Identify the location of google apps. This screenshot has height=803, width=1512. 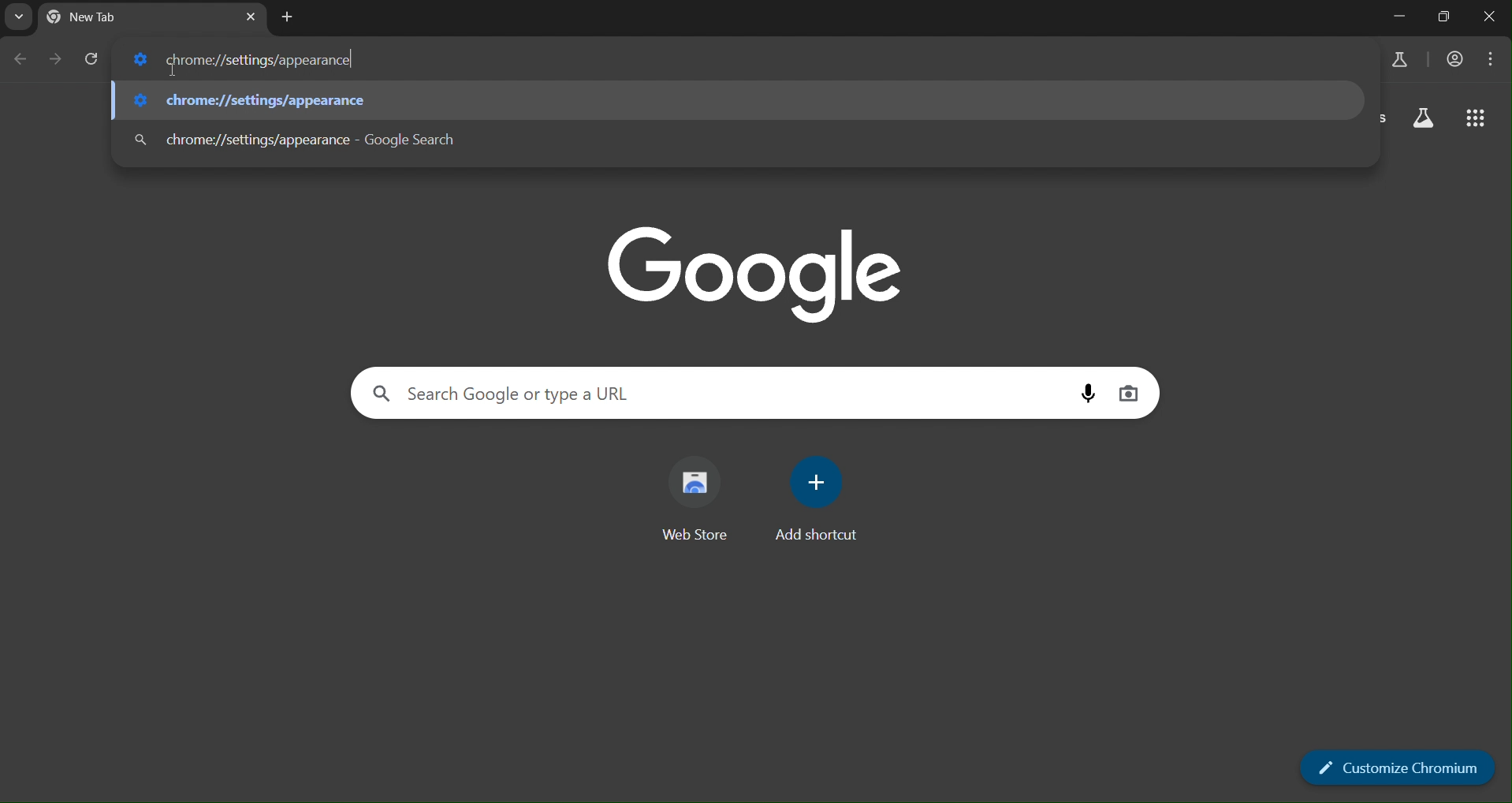
(1477, 119).